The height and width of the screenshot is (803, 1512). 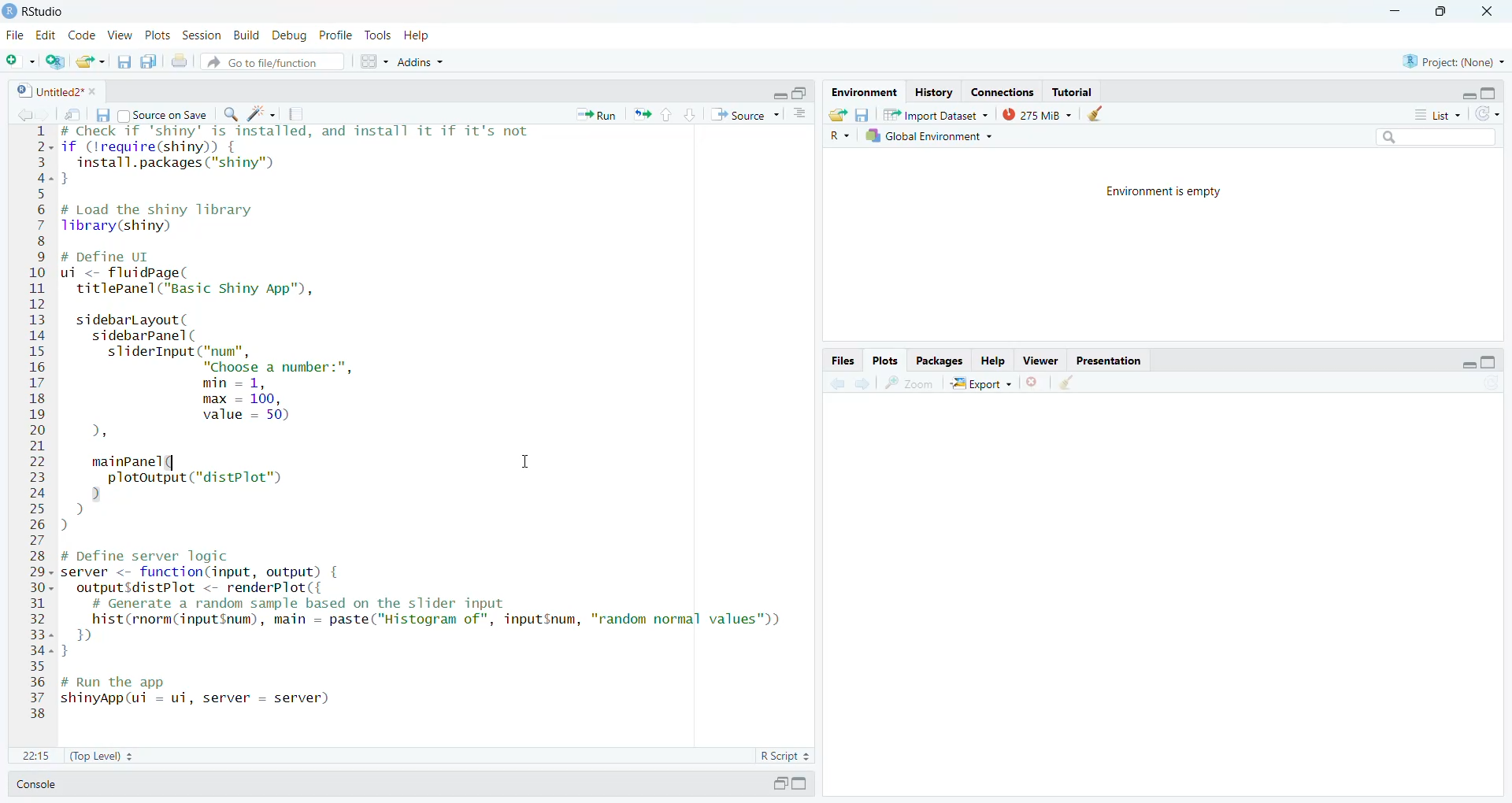 I want to click on resize, so click(x=801, y=93).